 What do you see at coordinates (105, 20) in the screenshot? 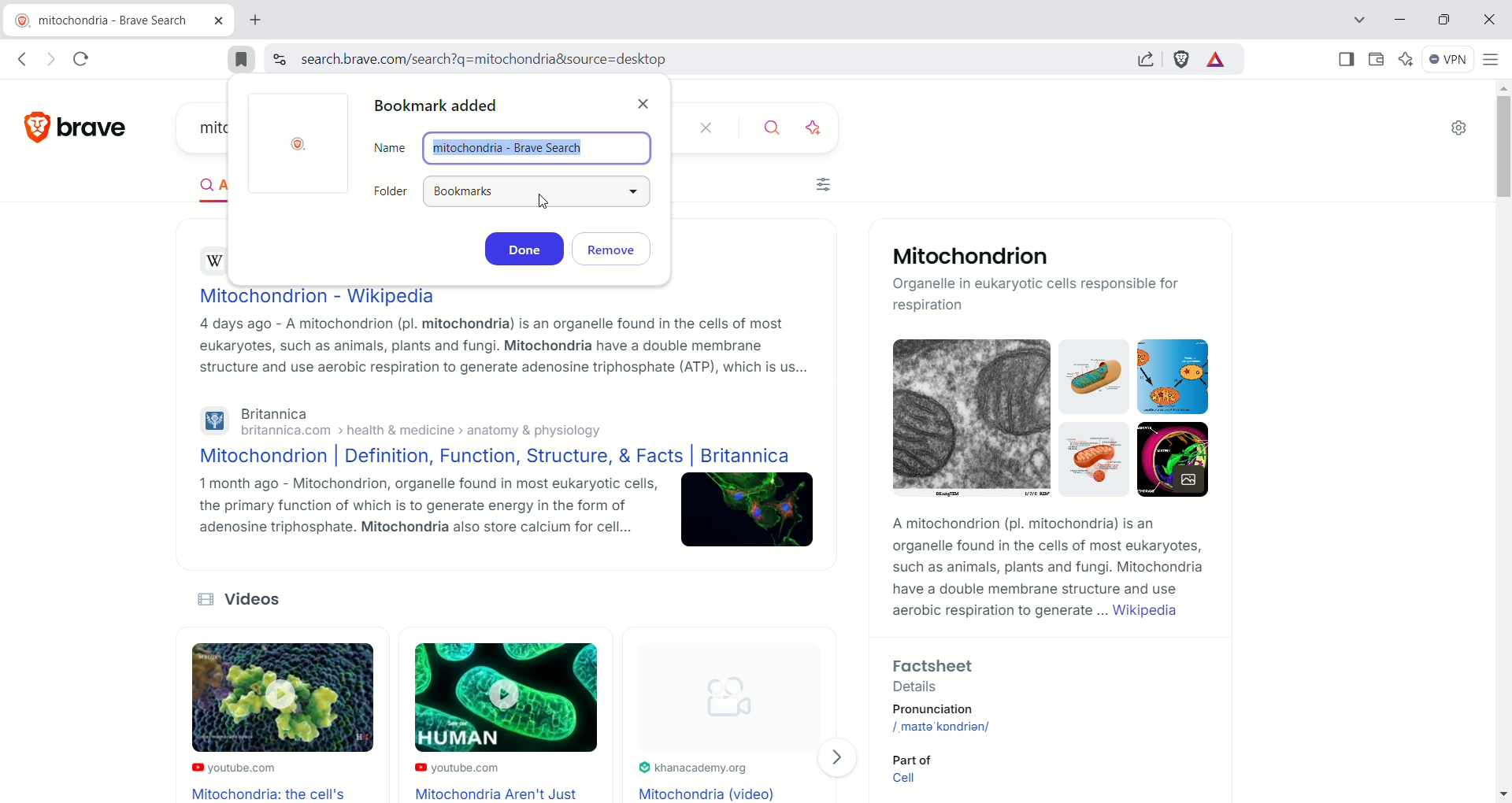
I see `current tab` at bounding box center [105, 20].